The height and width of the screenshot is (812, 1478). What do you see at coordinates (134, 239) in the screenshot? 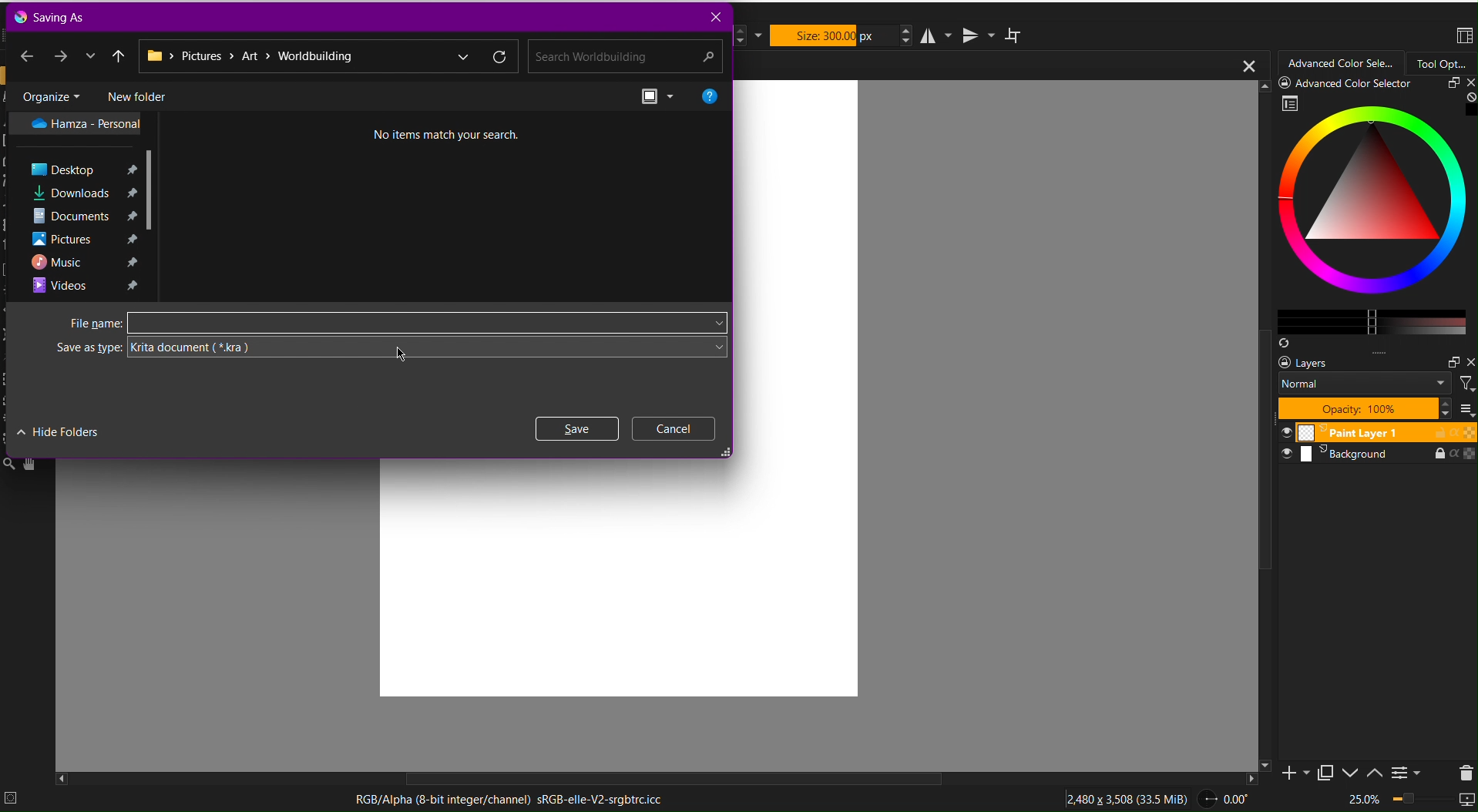
I see `pinned` at bounding box center [134, 239].